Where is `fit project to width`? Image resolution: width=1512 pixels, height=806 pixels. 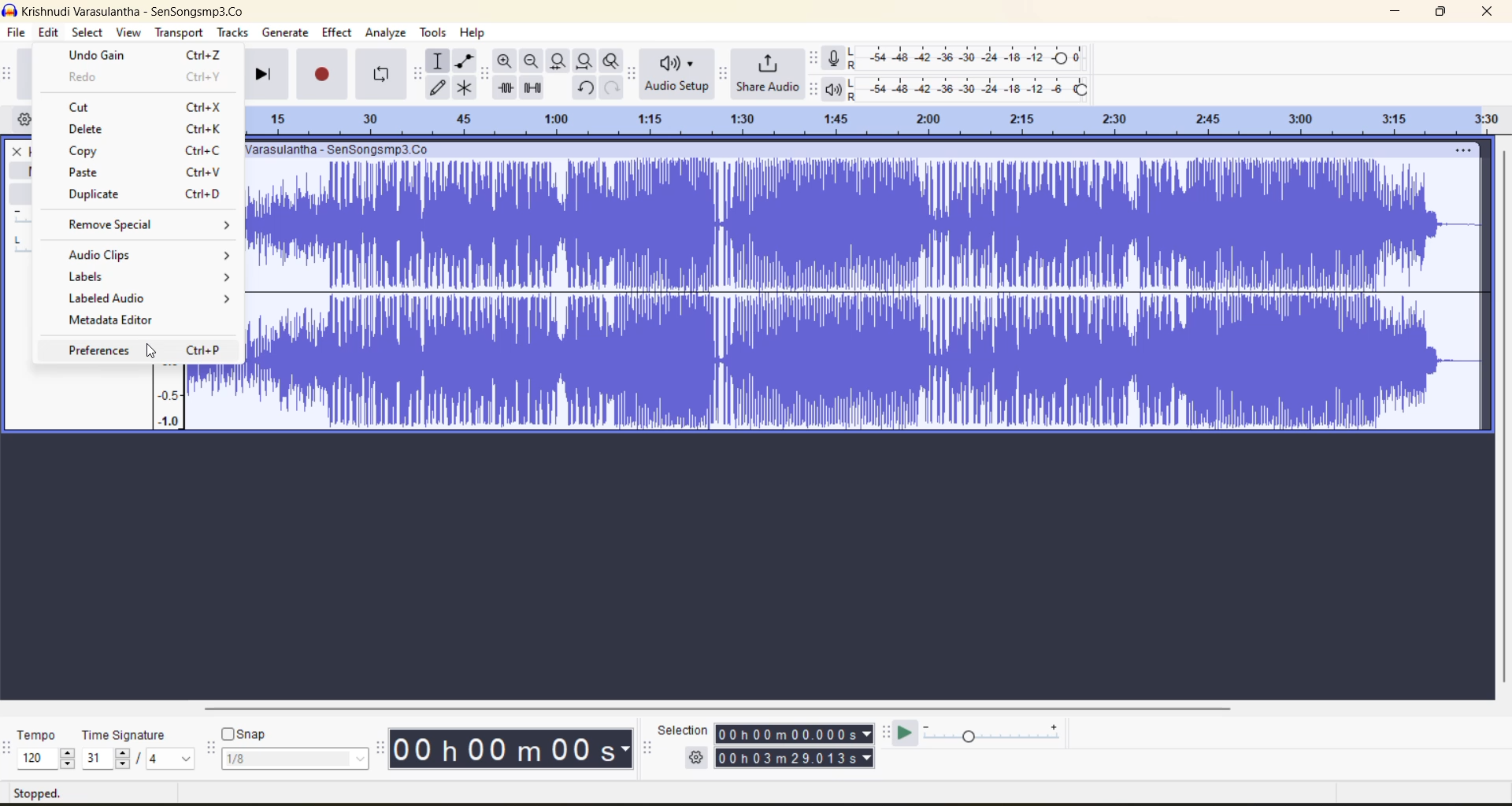 fit project to width is located at coordinates (585, 61).